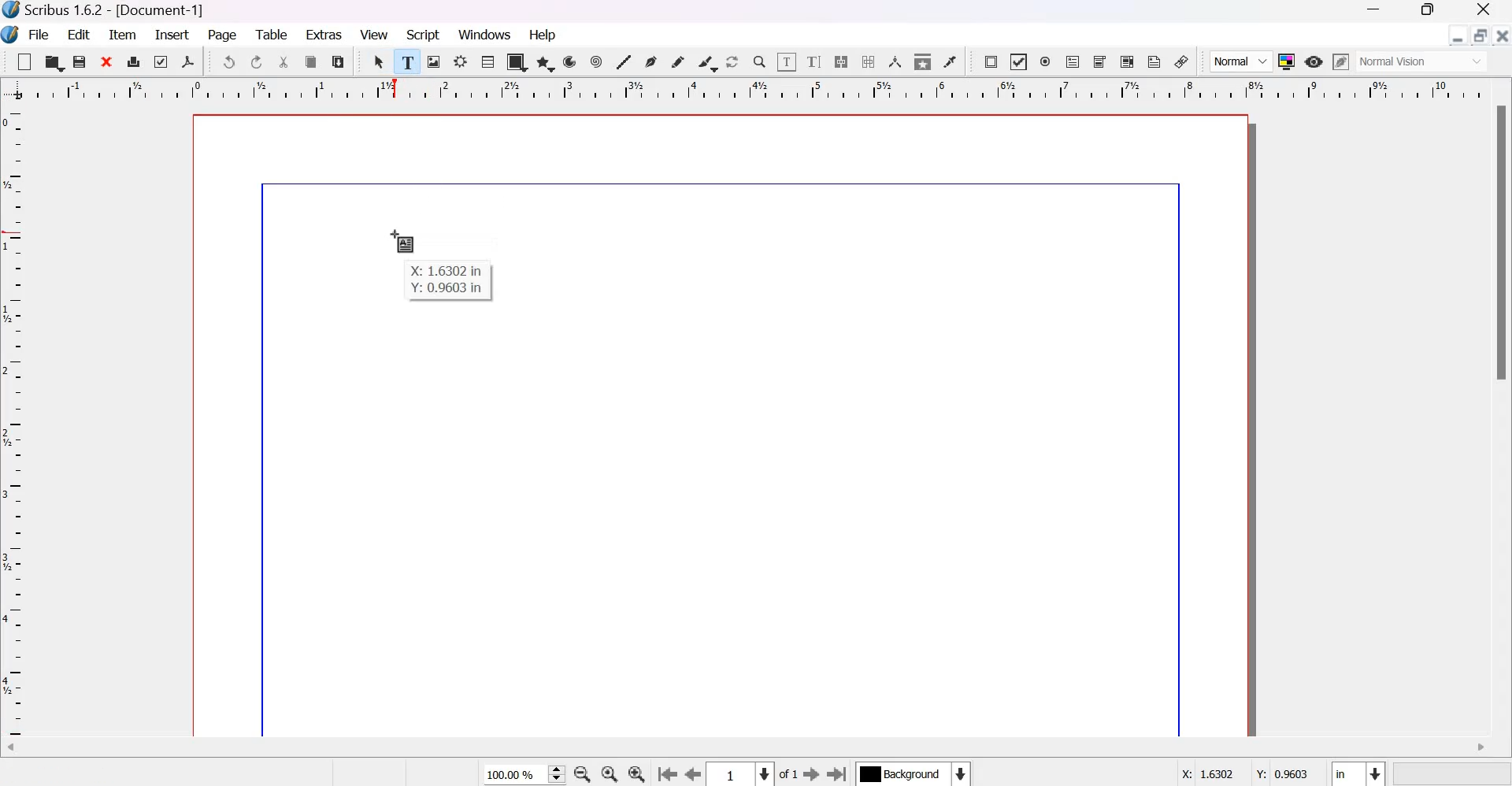 Image resolution: width=1512 pixels, height=786 pixels. What do you see at coordinates (694, 775) in the screenshot?
I see `go to the previous page` at bounding box center [694, 775].